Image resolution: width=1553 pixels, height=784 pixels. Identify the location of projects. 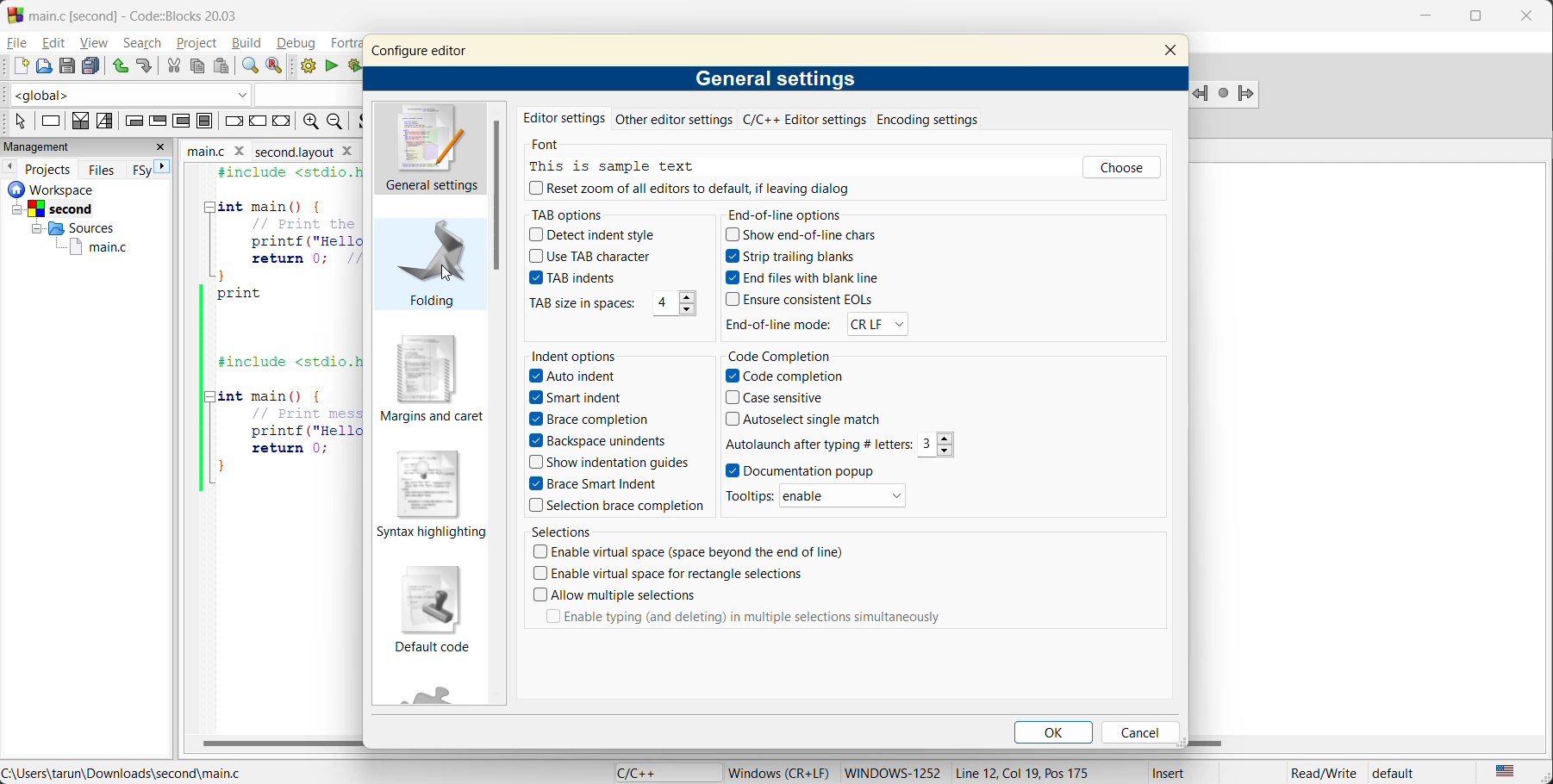
(47, 170).